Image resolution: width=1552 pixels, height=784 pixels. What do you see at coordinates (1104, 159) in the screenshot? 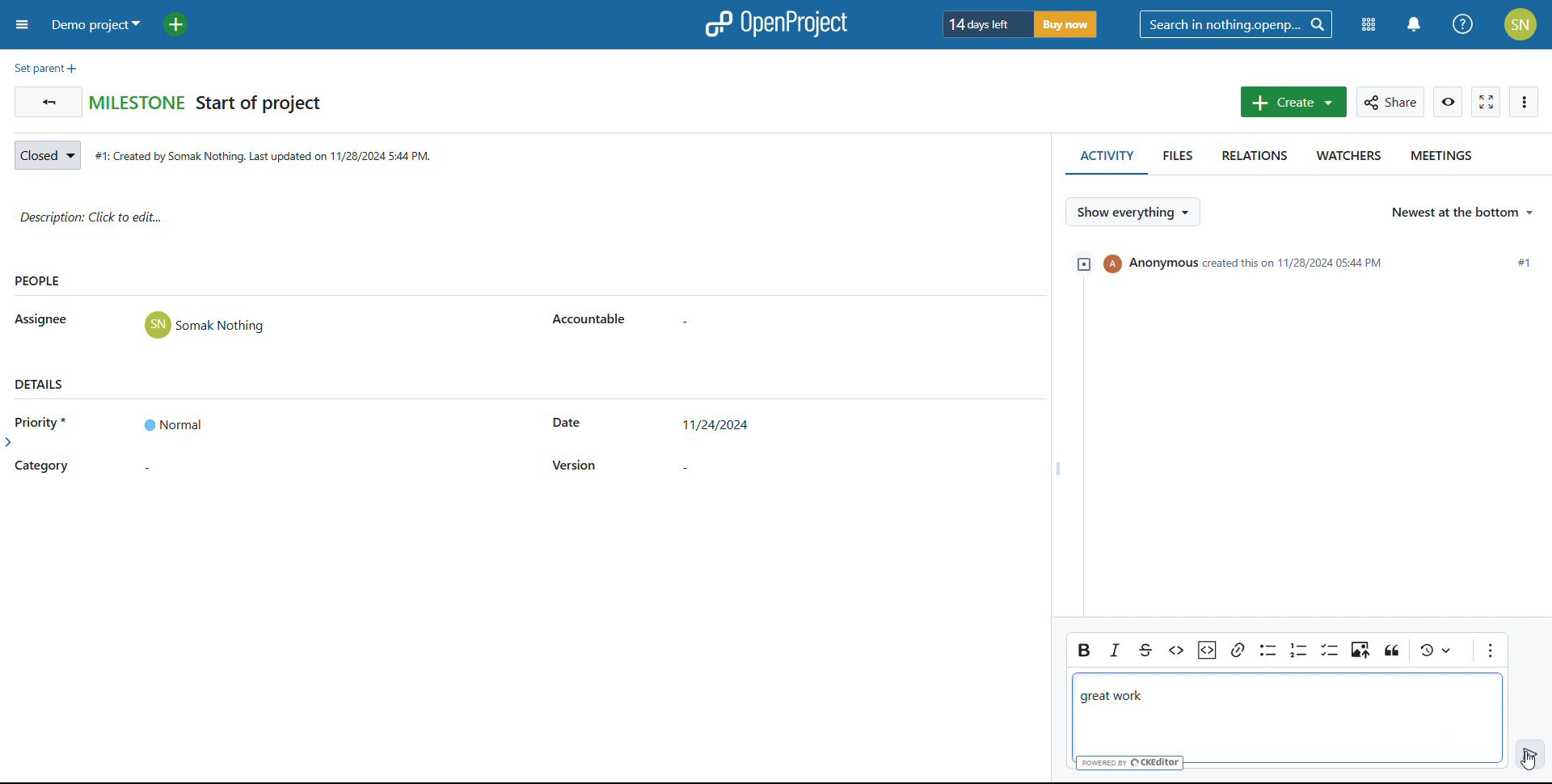
I see `activity` at bounding box center [1104, 159].